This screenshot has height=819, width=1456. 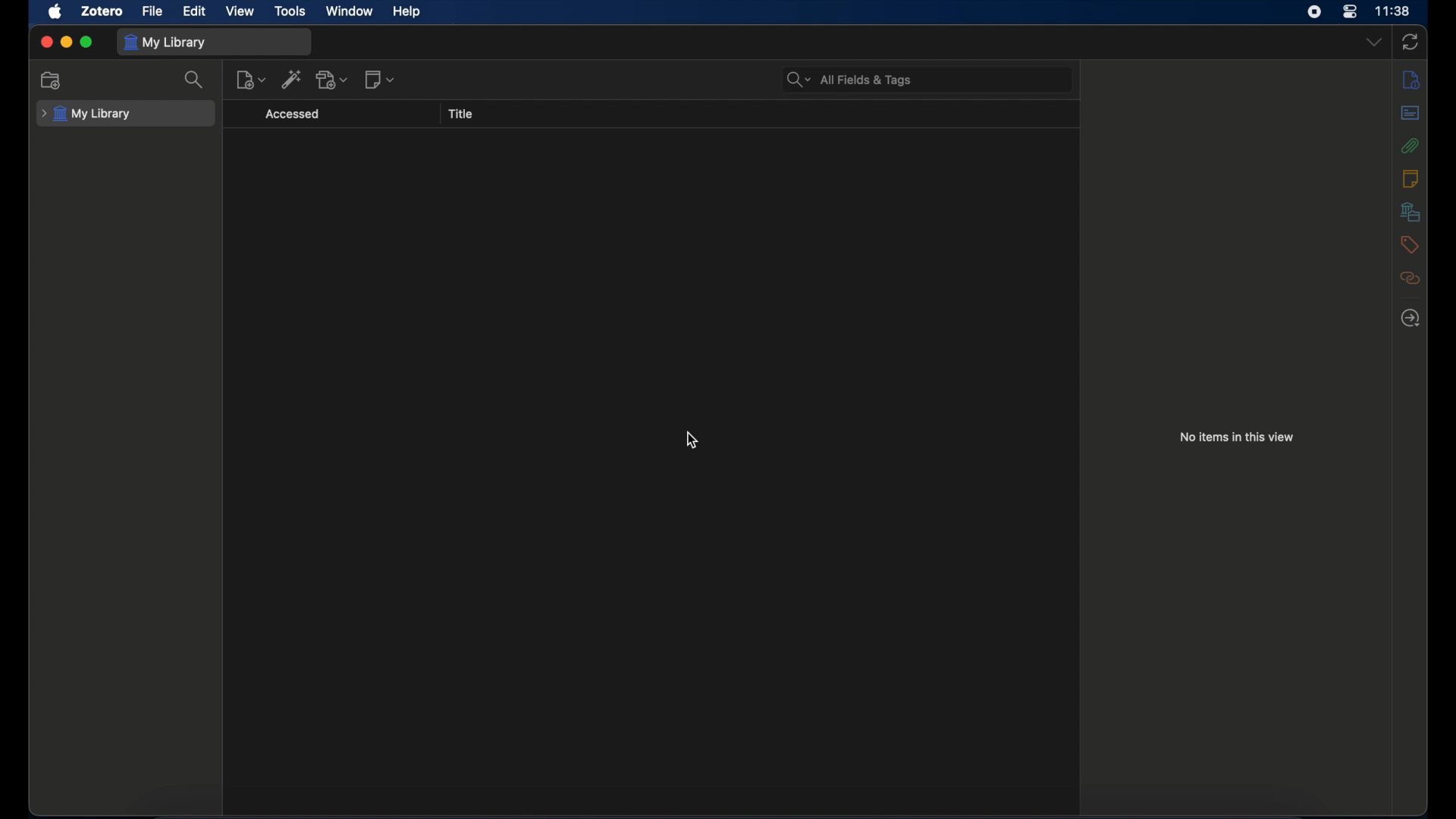 I want to click on apple, so click(x=55, y=12).